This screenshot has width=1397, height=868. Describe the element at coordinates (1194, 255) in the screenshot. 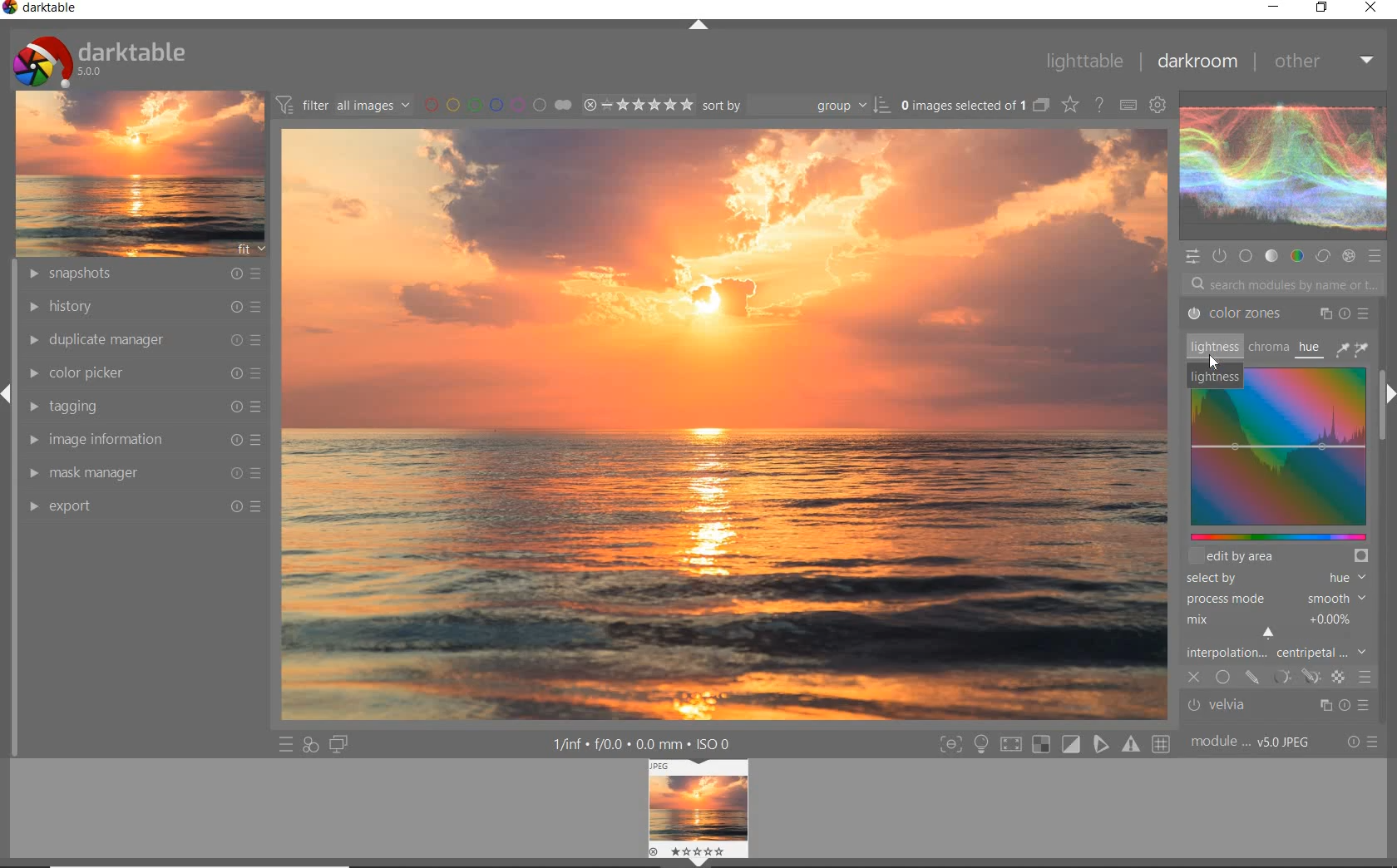

I see `QUICK ACCESS PANEL` at that location.